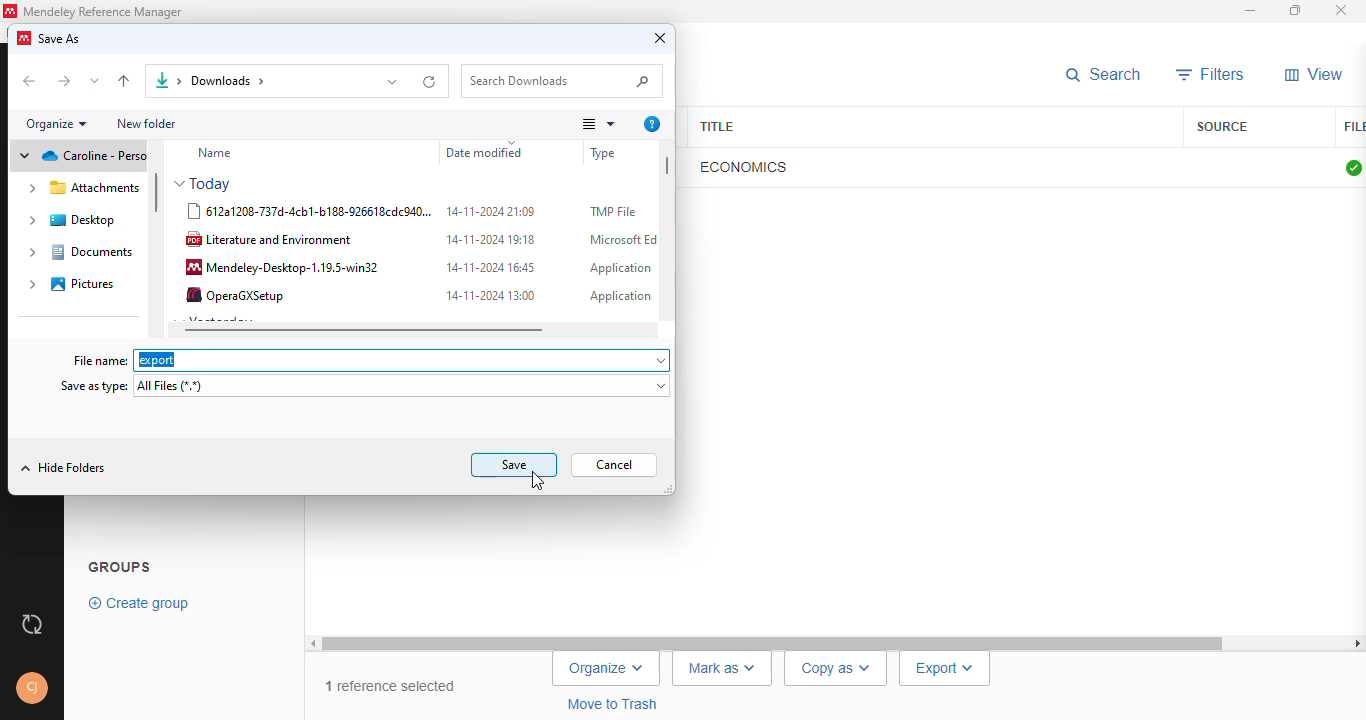 The image size is (1366, 720). What do you see at coordinates (56, 125) in the screenshot?
I see `organize` at bounding box center [56, 125].